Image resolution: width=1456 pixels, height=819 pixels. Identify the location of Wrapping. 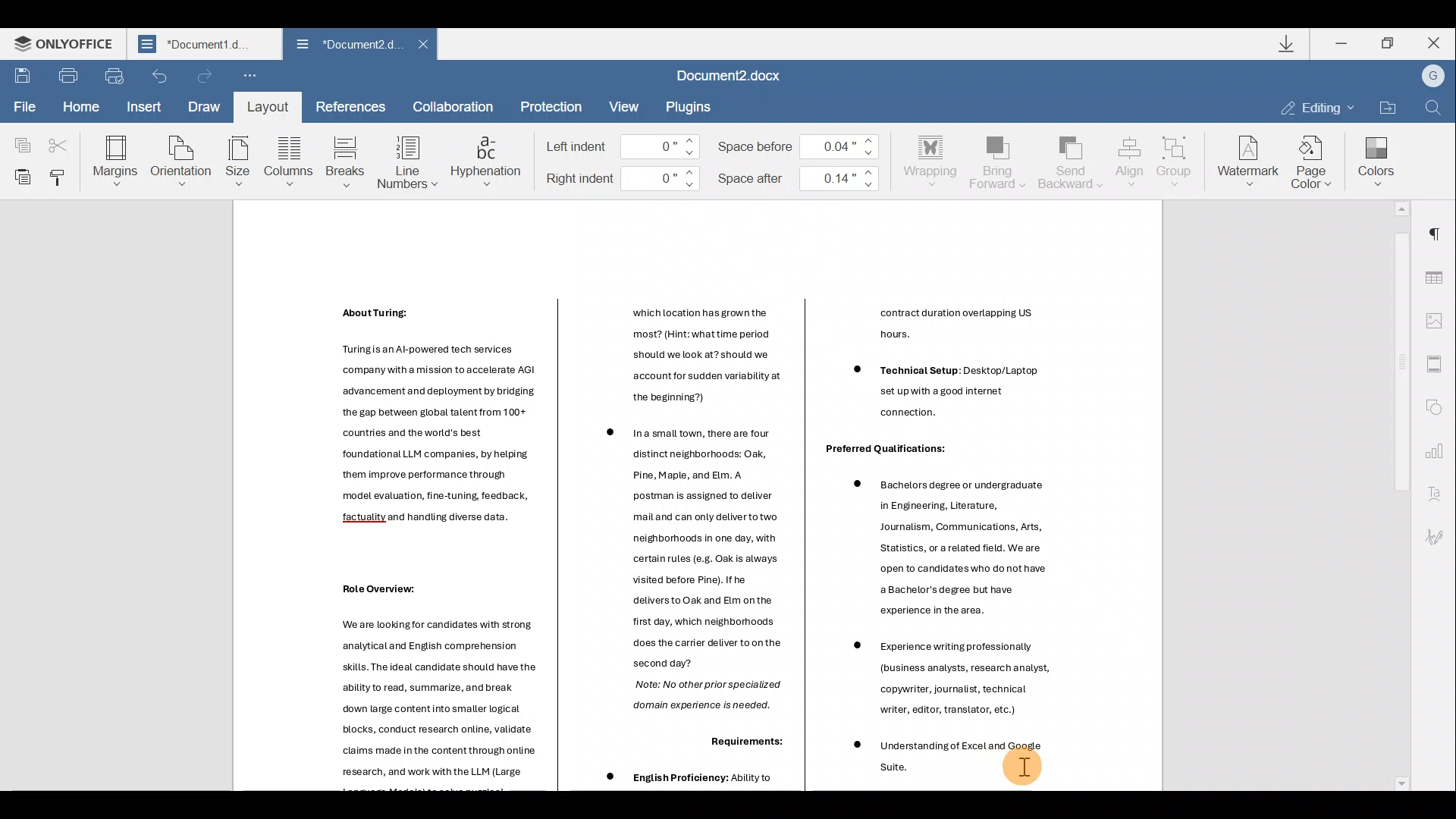
(934, 158).